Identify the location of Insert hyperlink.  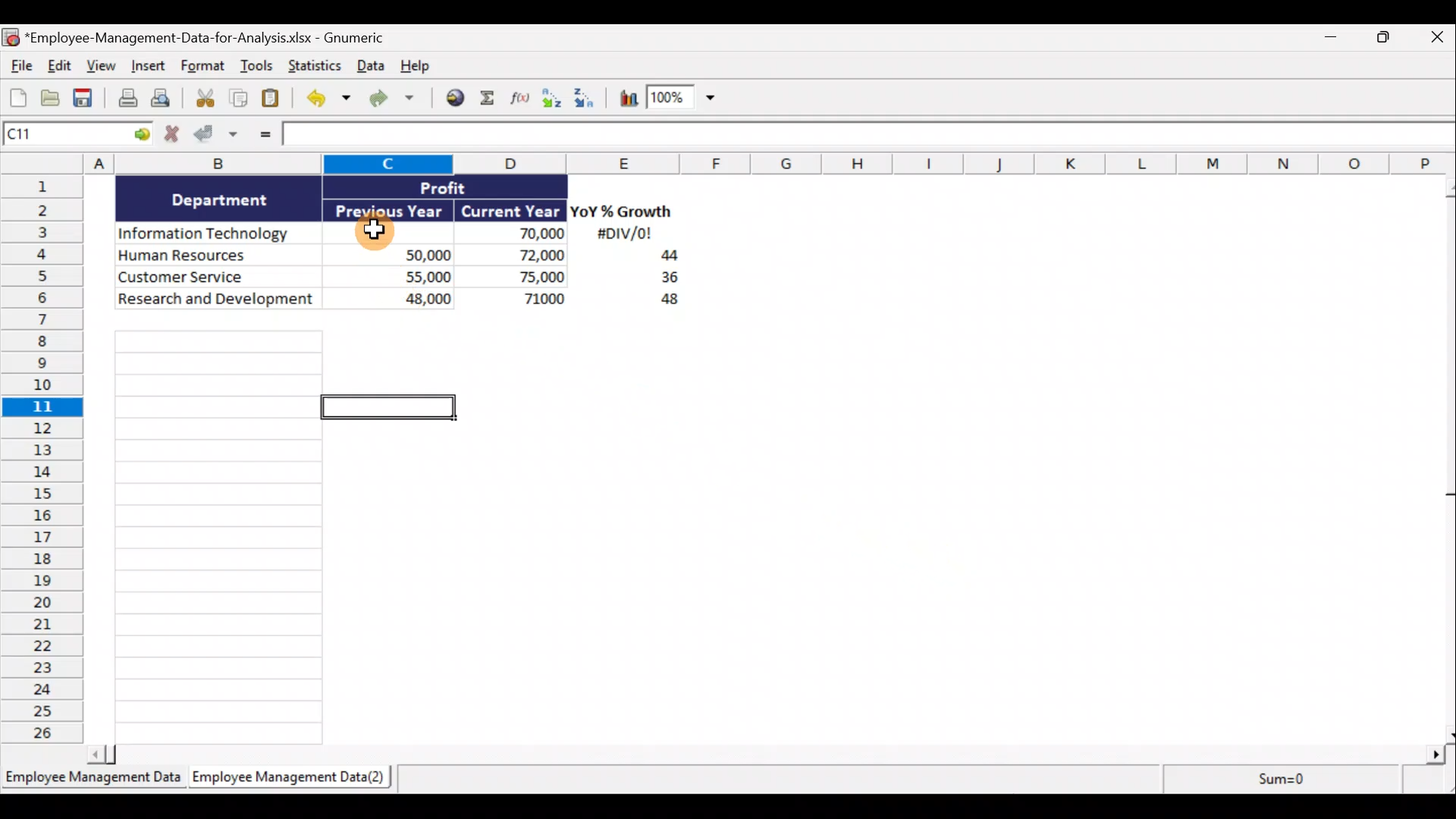
(457, 98).